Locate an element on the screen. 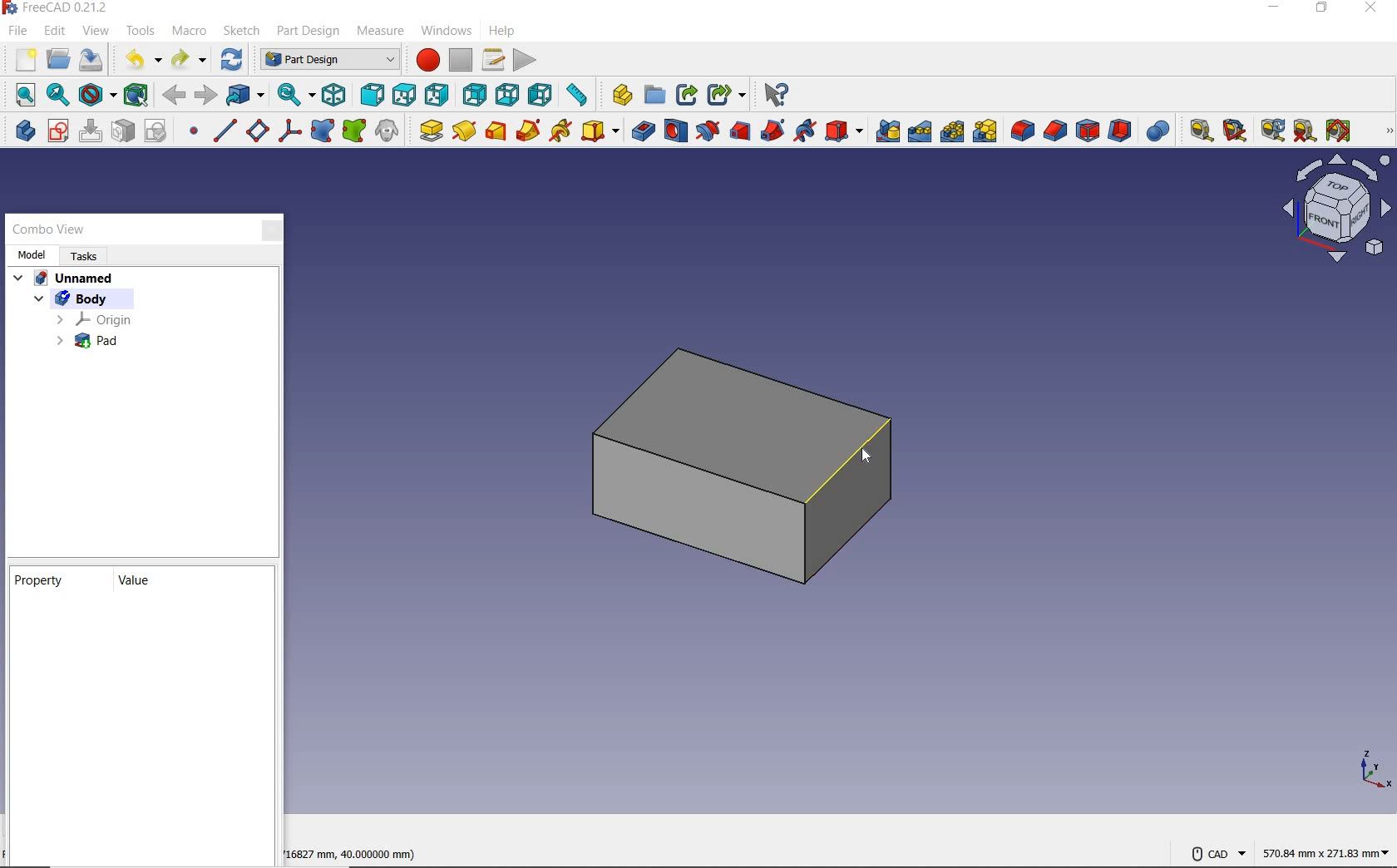 This screenshot has height=868, width=1397. chamfer is located at coordinates (1055, 131).